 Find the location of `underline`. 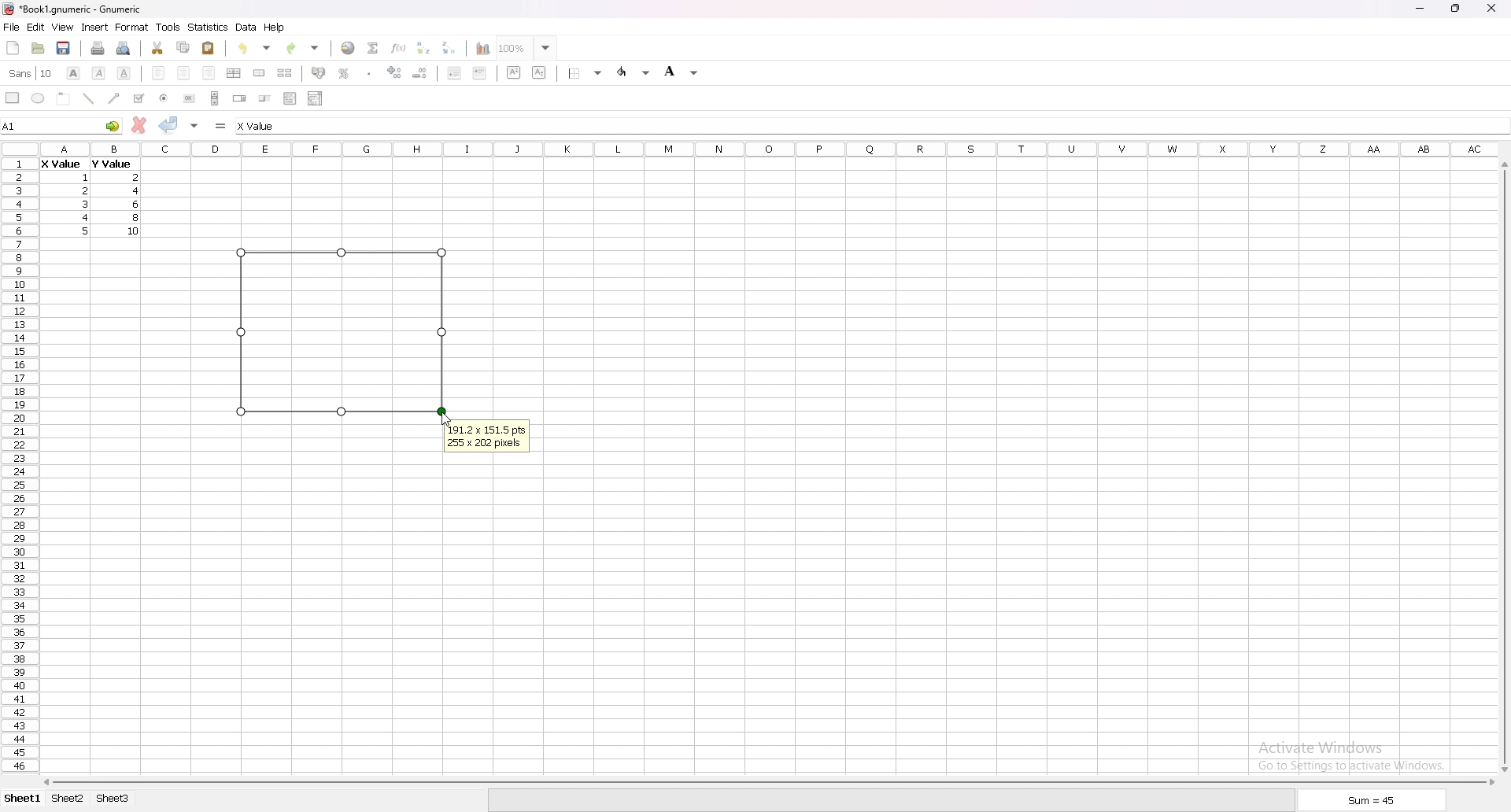

underline is located at coordinates (124, 73).